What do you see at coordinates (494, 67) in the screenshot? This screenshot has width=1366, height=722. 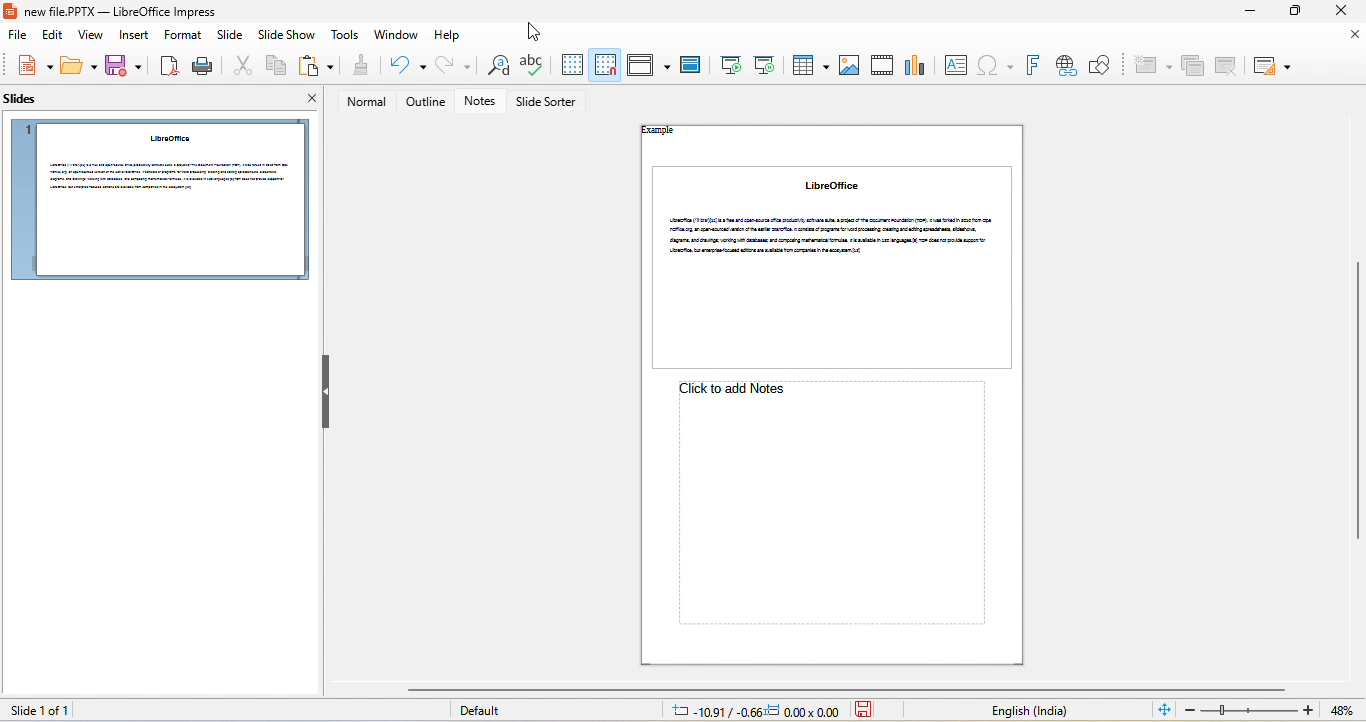 I see `find and replace` at bounding box center [494, 67].